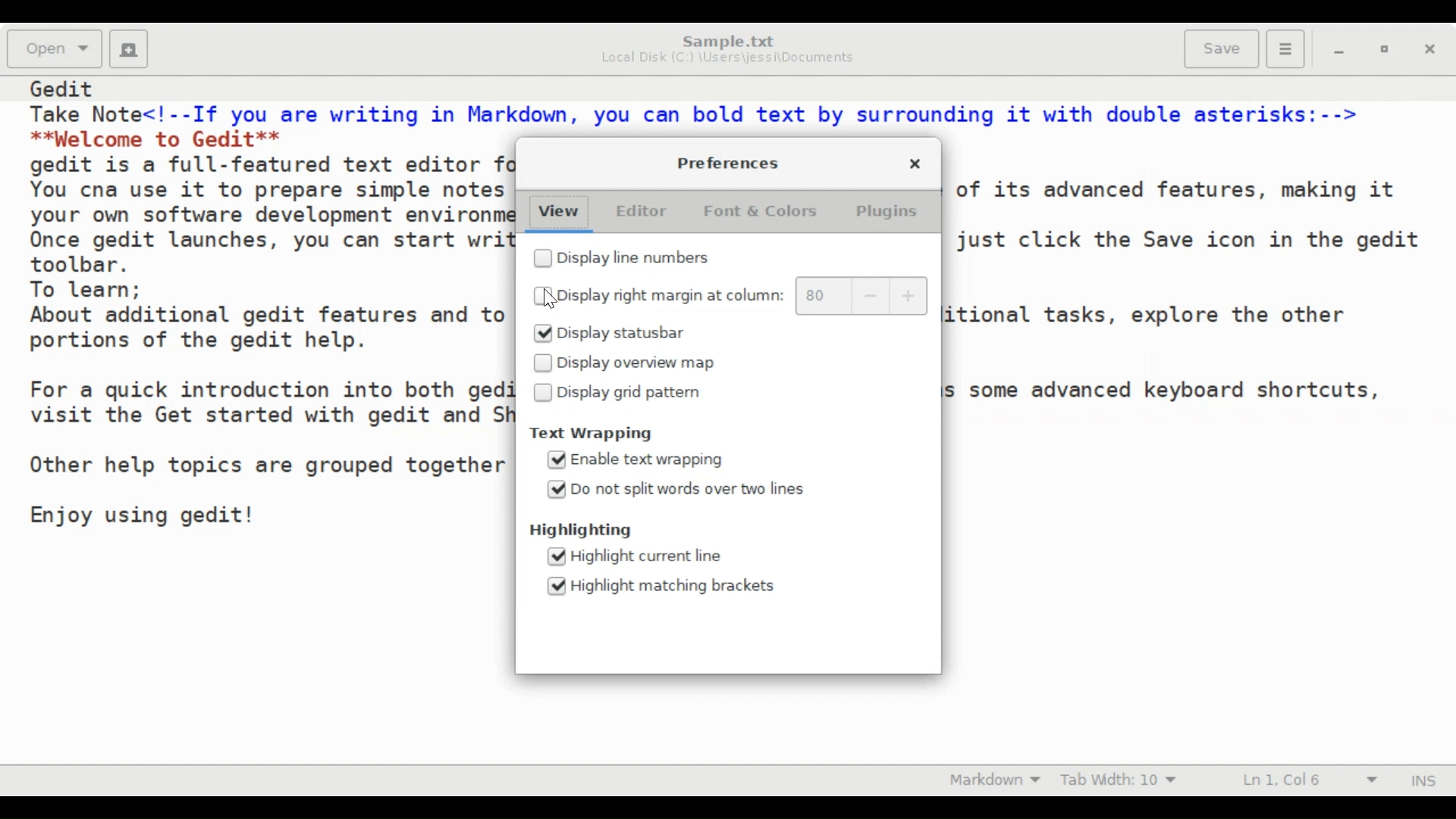  Describe the element at coordinates (626, 363) in the screenshot. I see `(un)select Display overview map` at that location.